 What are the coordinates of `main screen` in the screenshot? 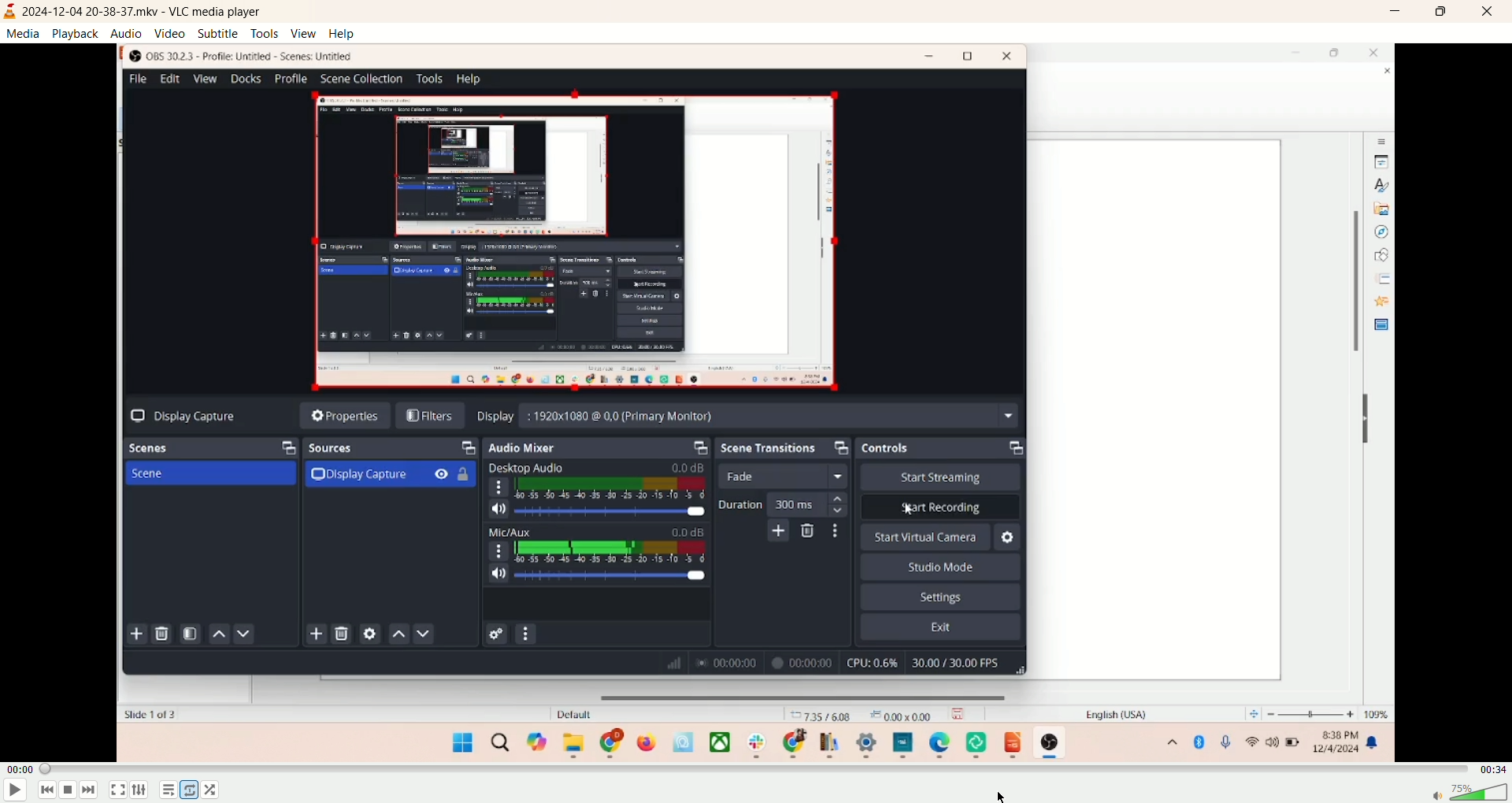 It's located at (758, 398).